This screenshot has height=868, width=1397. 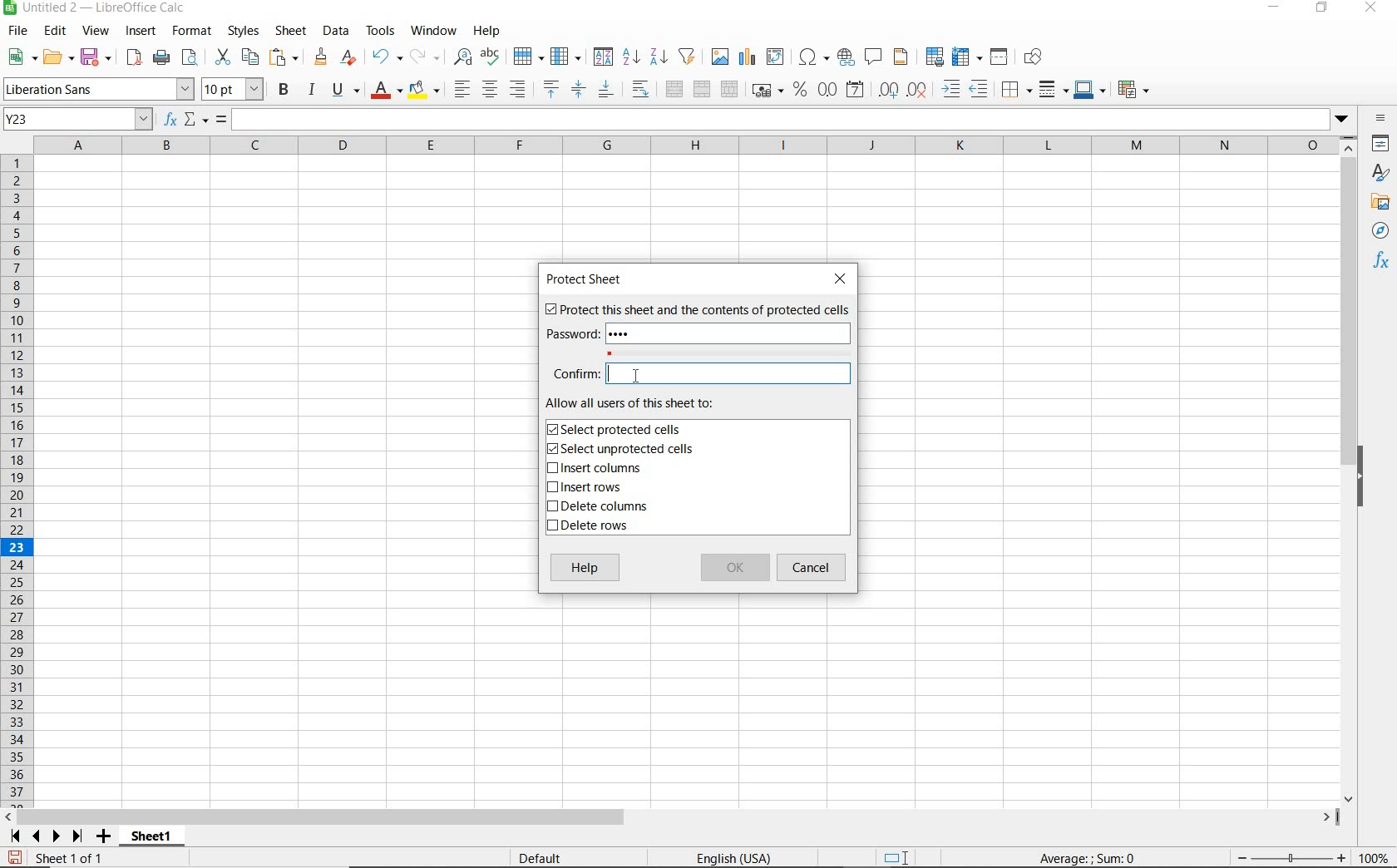 I want to click on SELECT UNPROTECTED CELLS, so click(x=623, y=450).